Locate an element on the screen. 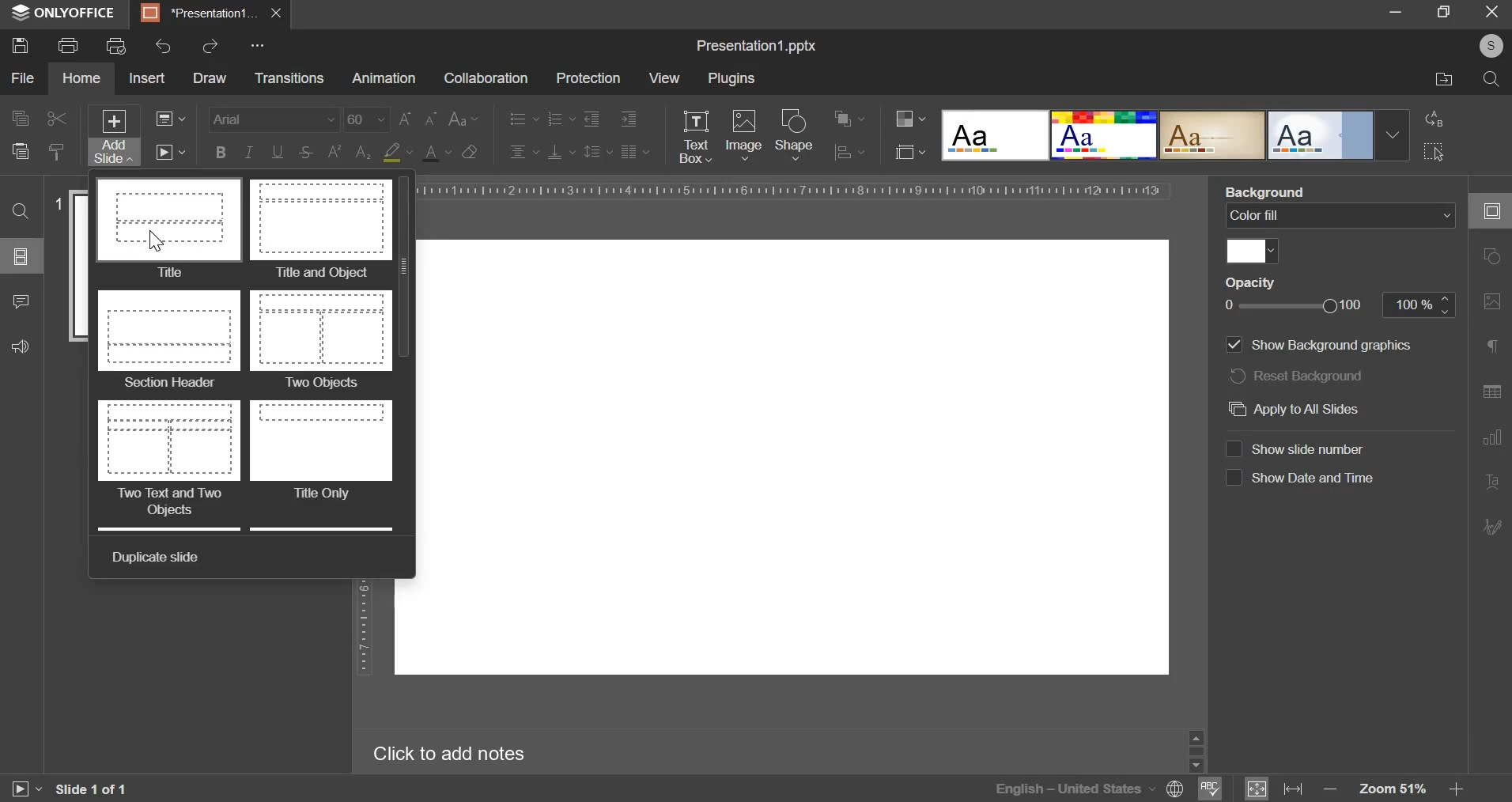  view is located at coordinates (663, 78).